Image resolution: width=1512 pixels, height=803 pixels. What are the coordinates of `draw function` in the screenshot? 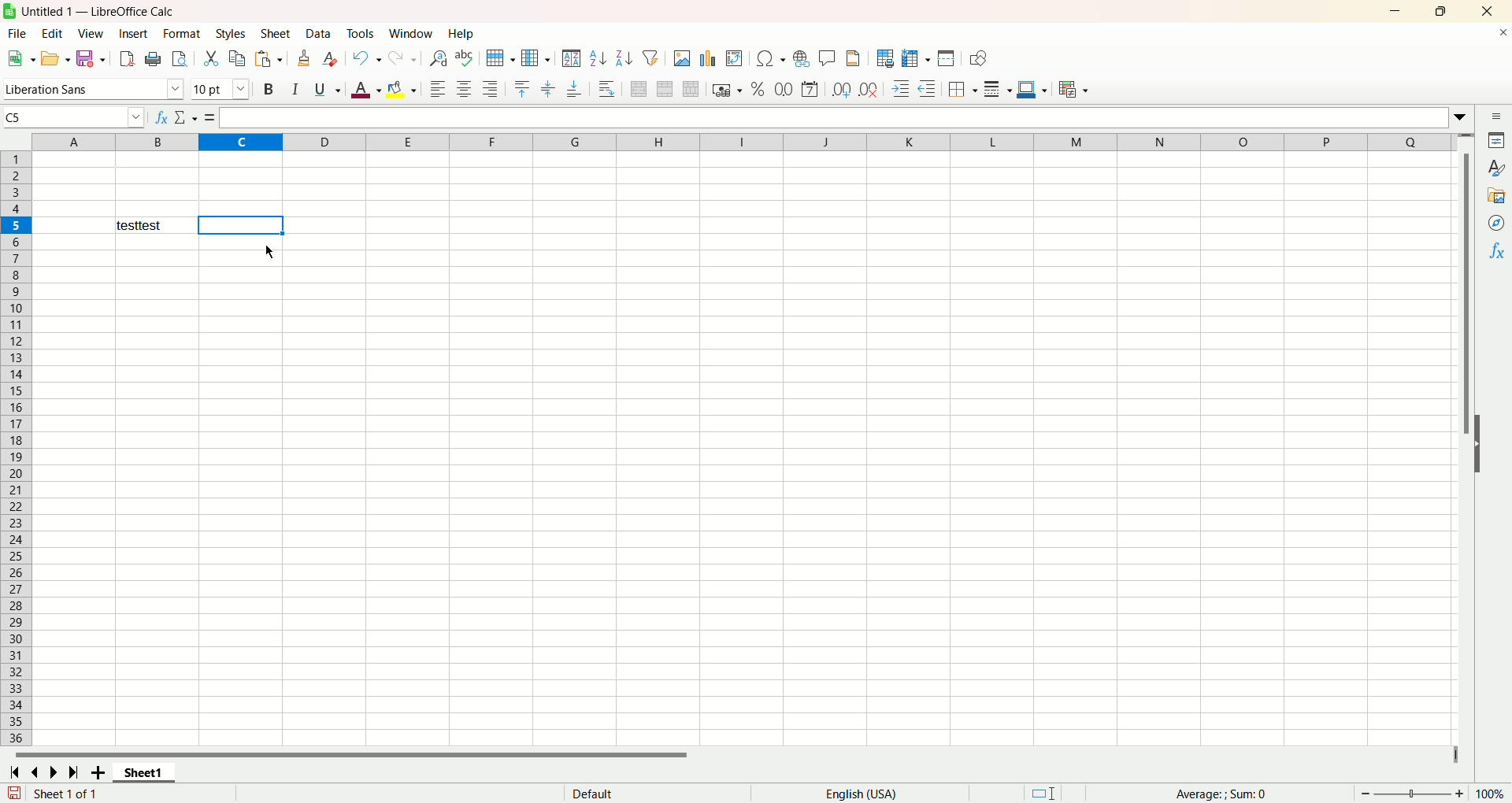 It's located at (976, 58).